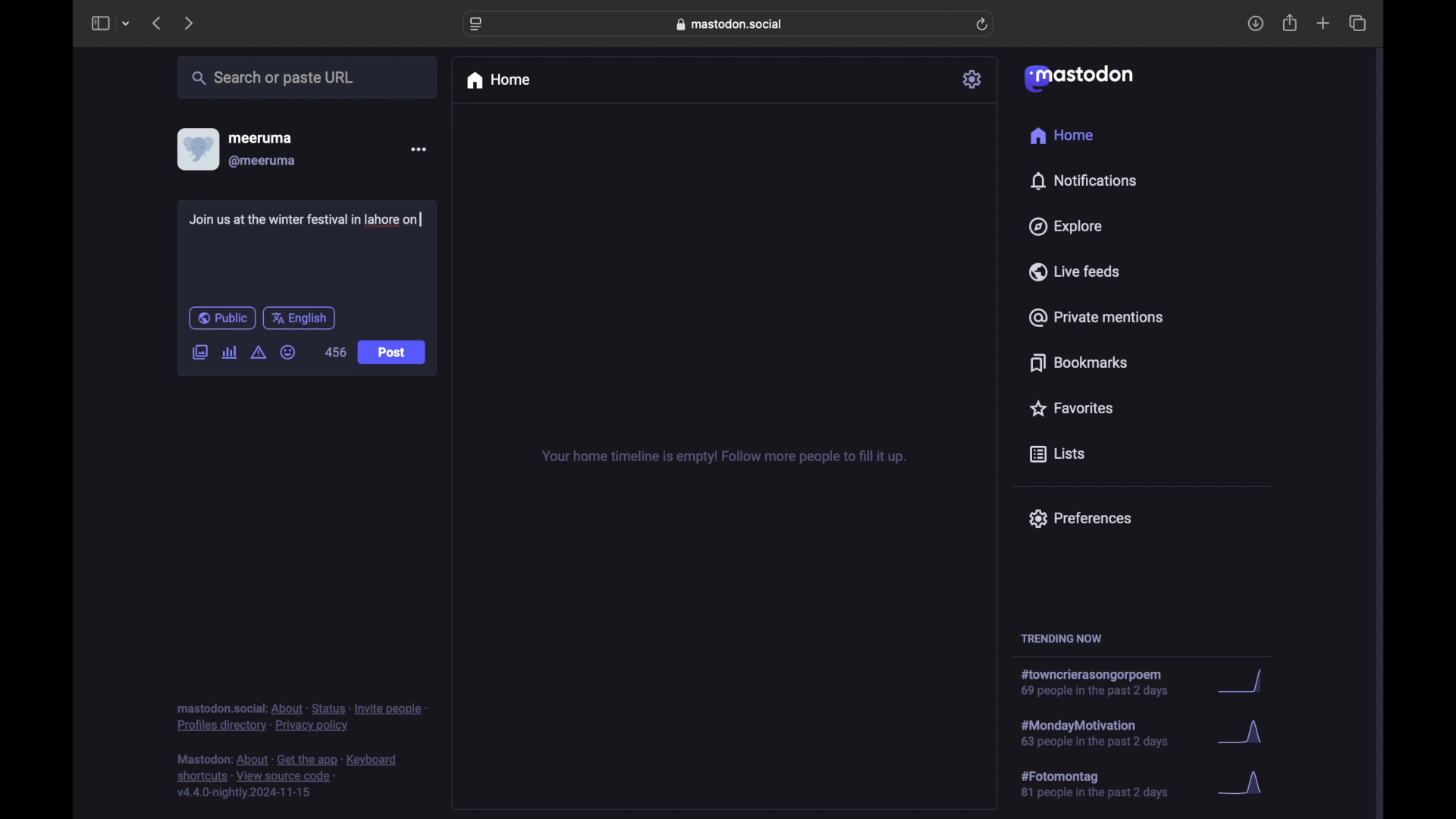  What do you see at coordinates (984, 25) in the screenshot?
I see `refresh` at bounding box center [984, 25].